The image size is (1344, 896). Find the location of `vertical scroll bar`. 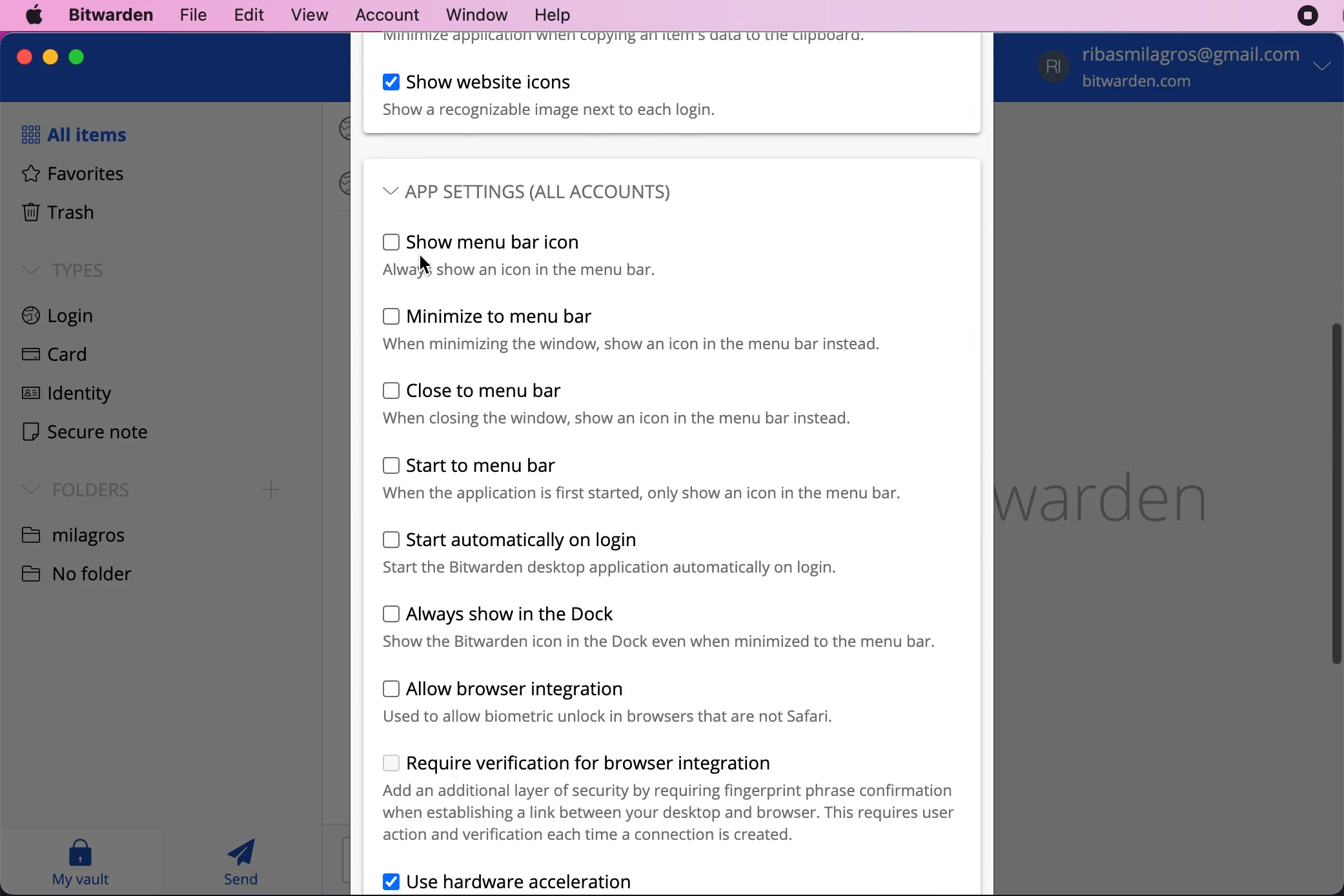

vertical scroll bar is located at coordinates (1336, 494).